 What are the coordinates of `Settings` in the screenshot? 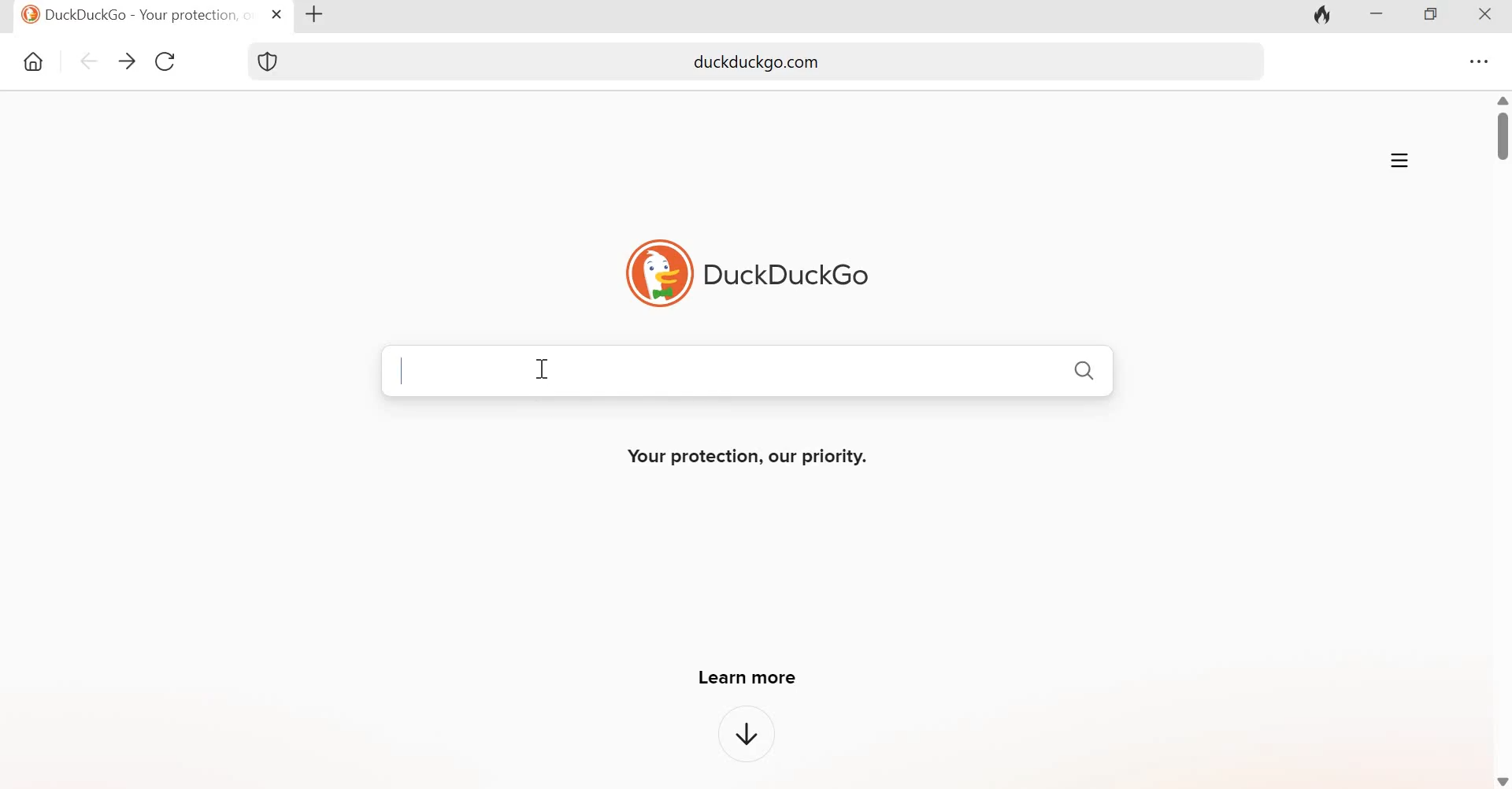 It's located at (1480, 60).